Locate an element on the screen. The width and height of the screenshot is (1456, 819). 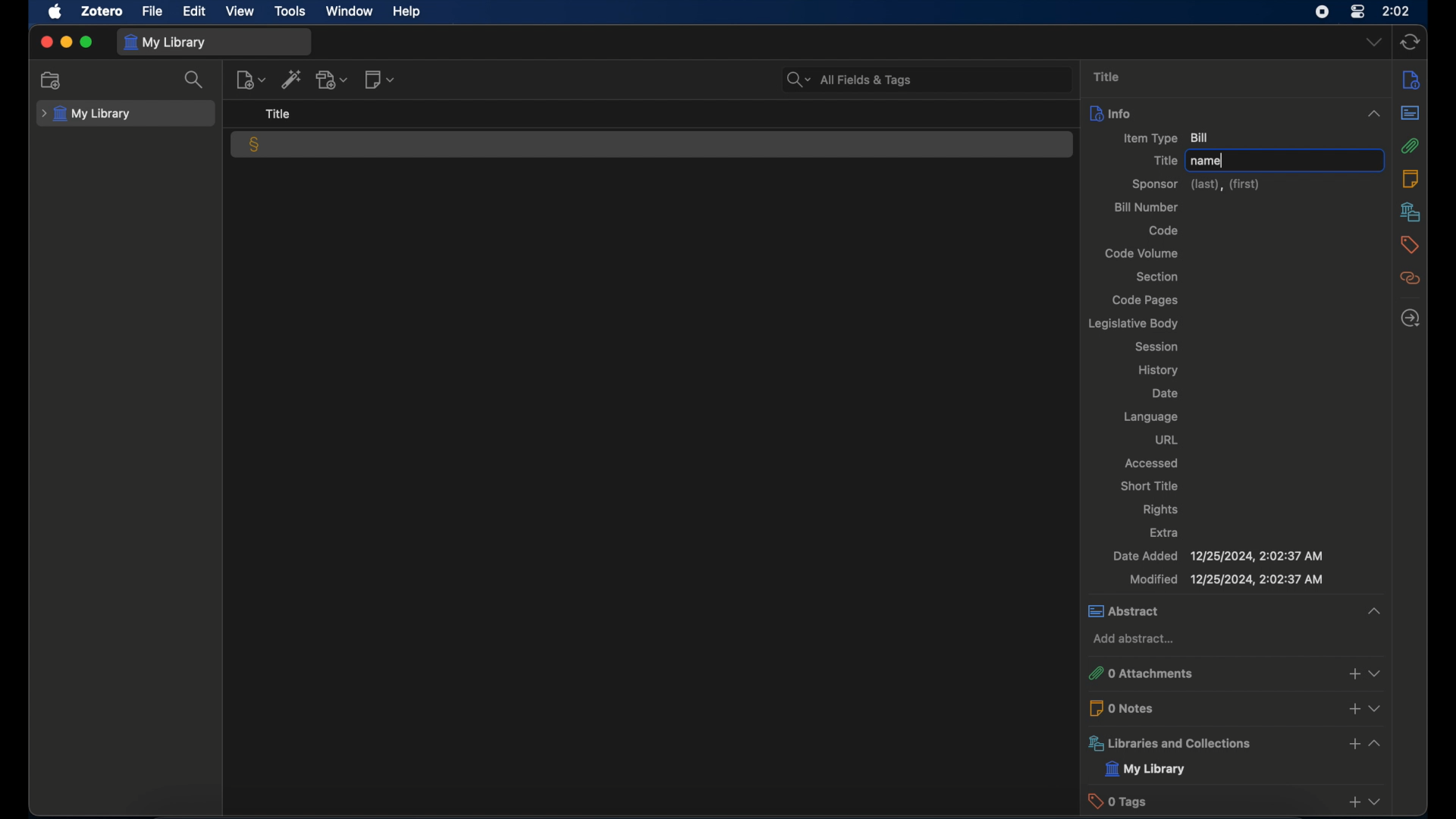
my library is located at coordinates (88, 114).